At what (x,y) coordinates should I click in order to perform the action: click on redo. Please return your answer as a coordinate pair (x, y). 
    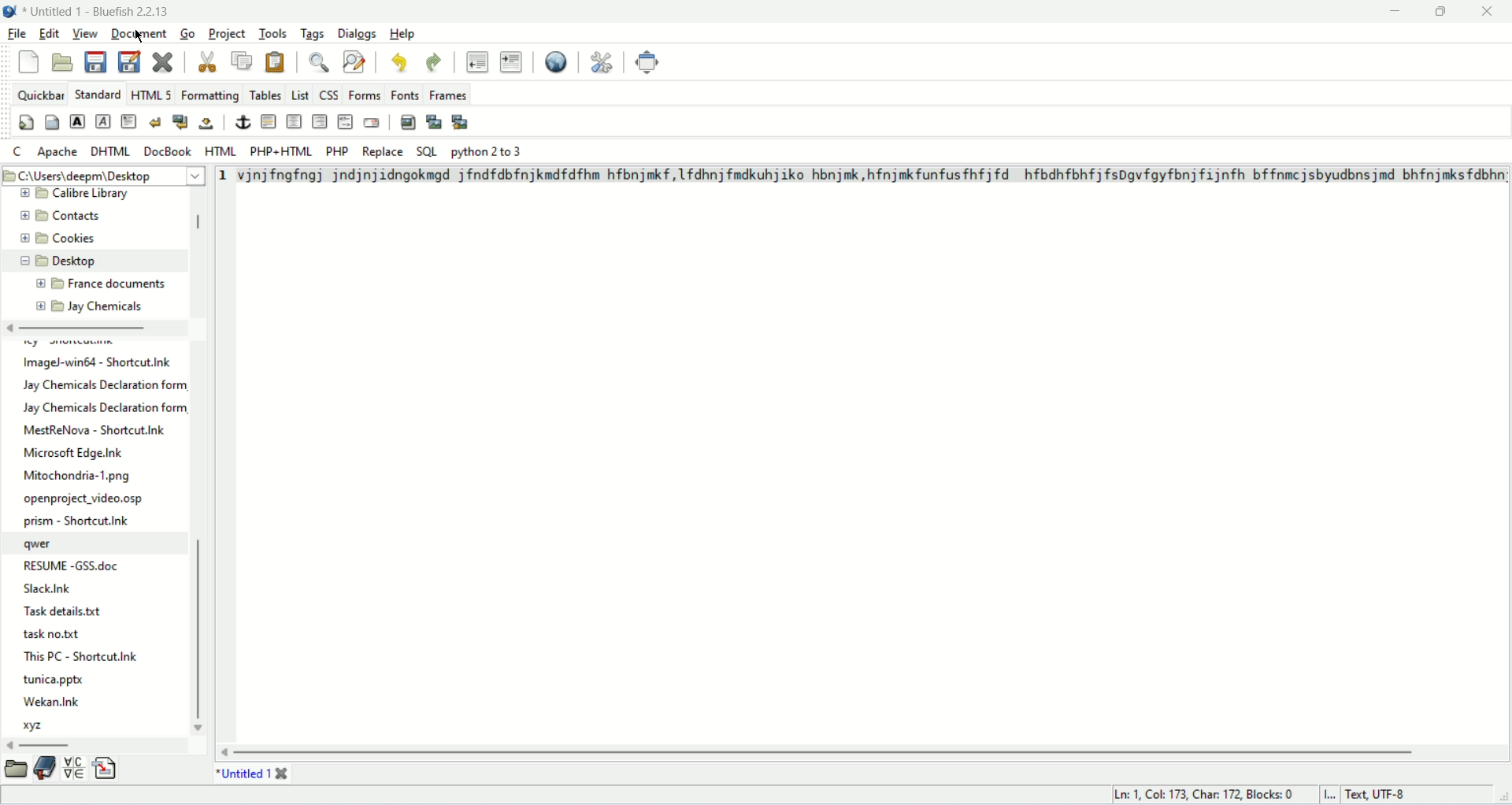
    Looking at the image, I should click on (432, 63).